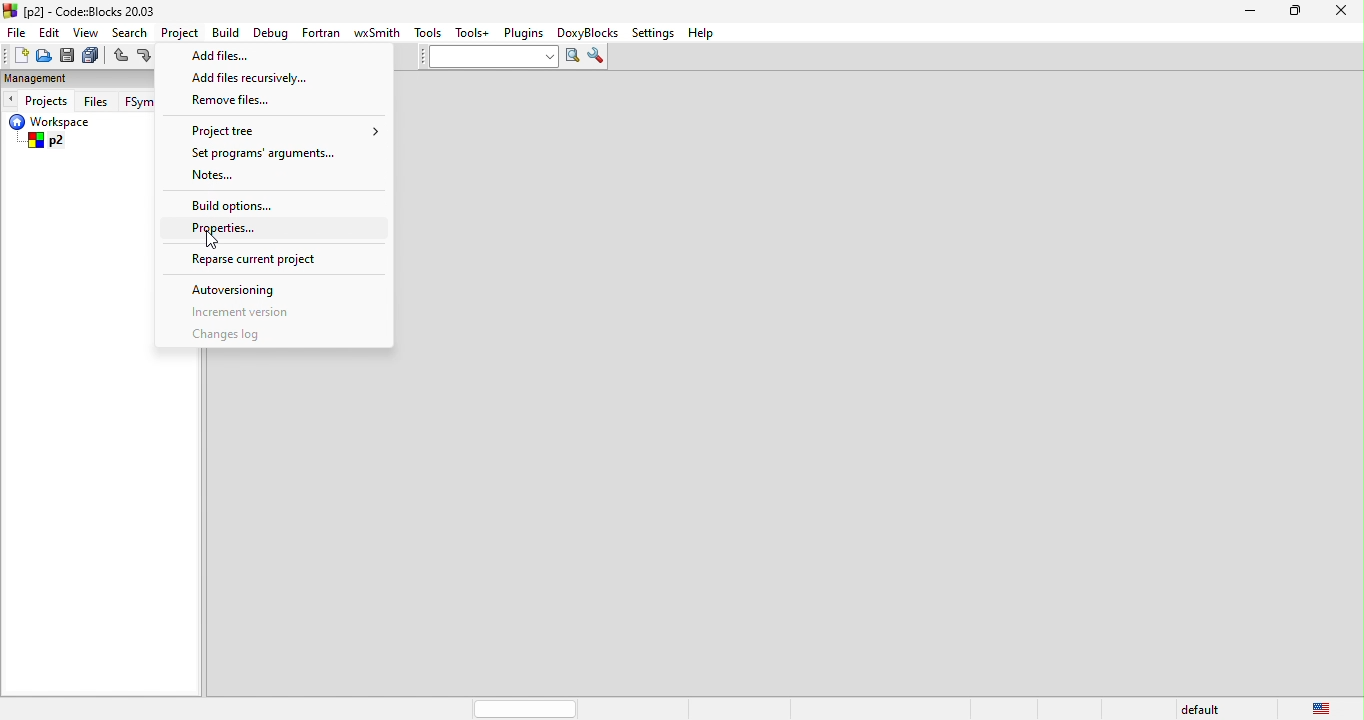 Image resolution: width=1364 pixels, height=720 pixels. What do you see at coordinates (37, 99) in the screenshot?
I see `projects` at bounding box center [37, 99].